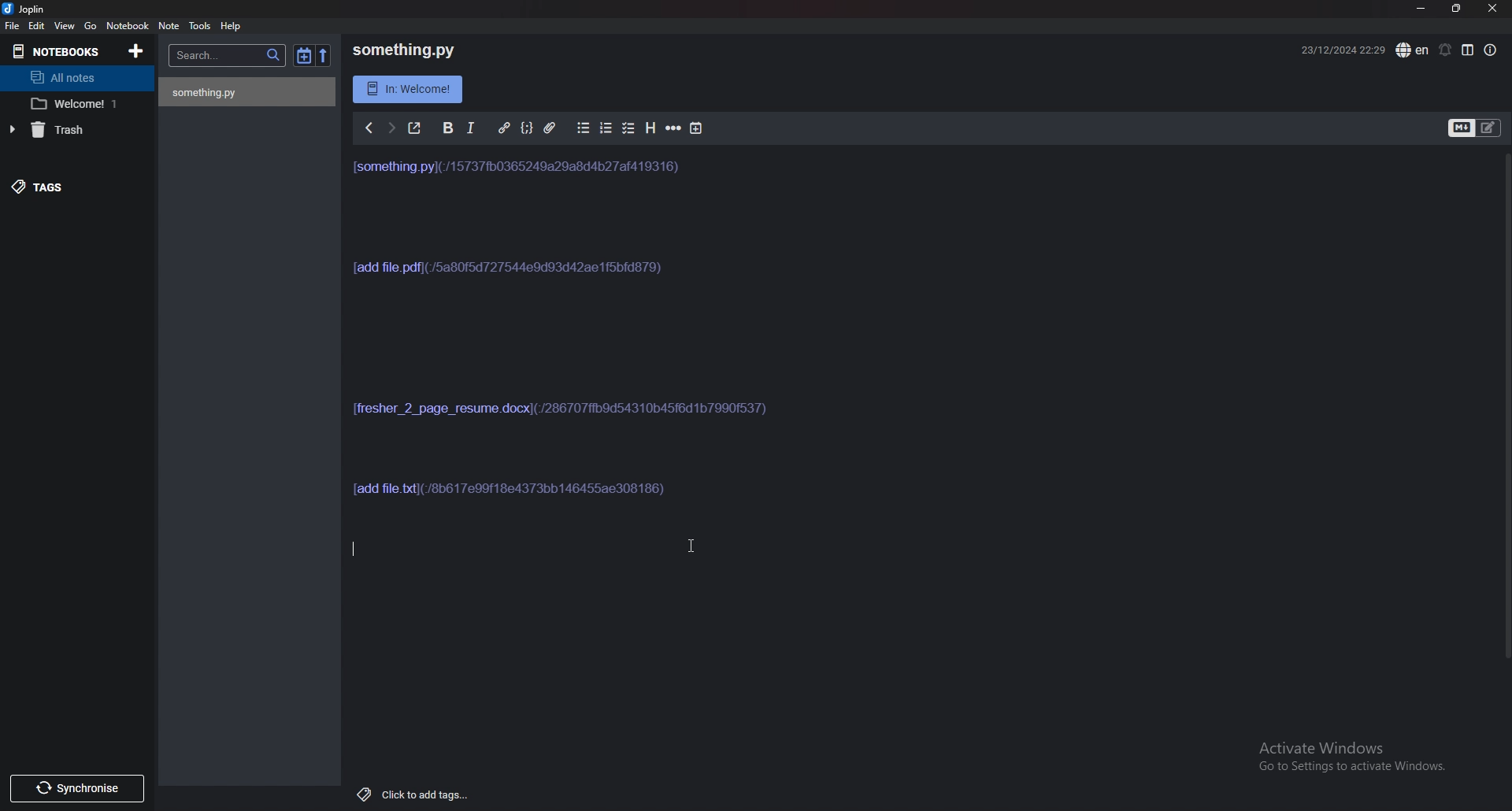 The image size is (1512, 811). I want to click on Add notebooks, so click(135, 52).